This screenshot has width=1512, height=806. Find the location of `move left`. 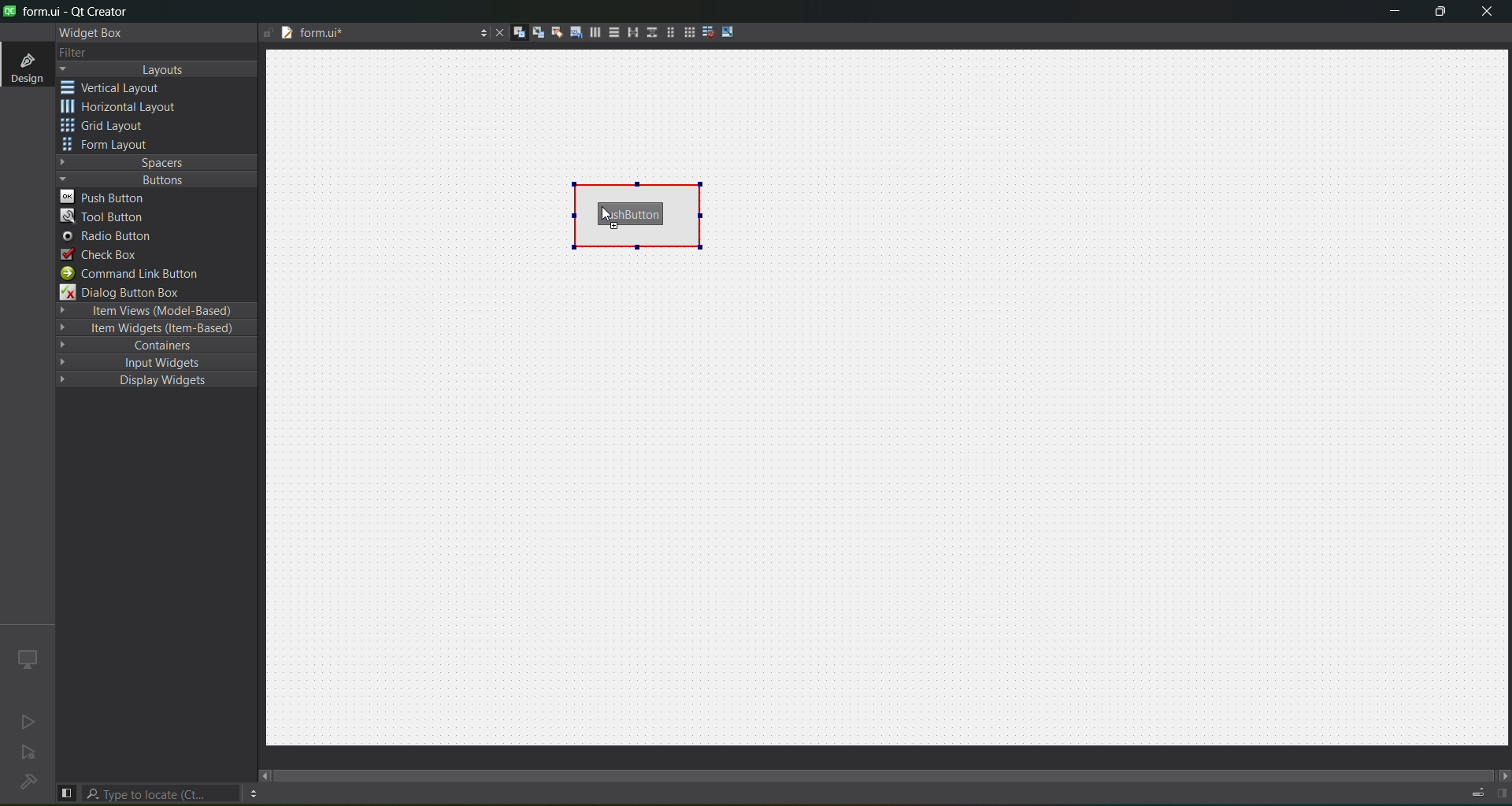

move left is located at coordinates (265, 775).